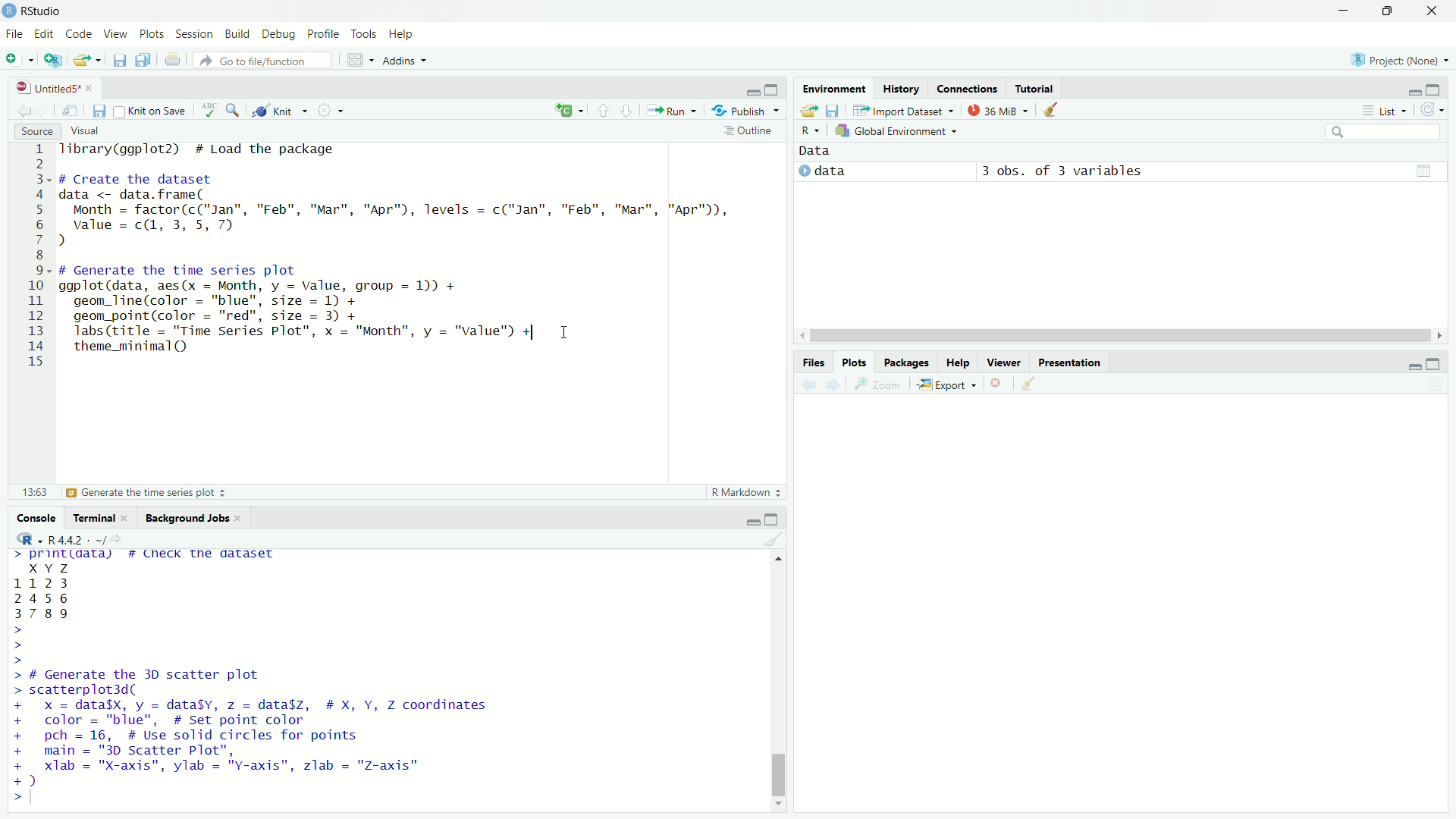  Describe the element at coordinates (60, 591) in the screenshot. I see `data` at that location.